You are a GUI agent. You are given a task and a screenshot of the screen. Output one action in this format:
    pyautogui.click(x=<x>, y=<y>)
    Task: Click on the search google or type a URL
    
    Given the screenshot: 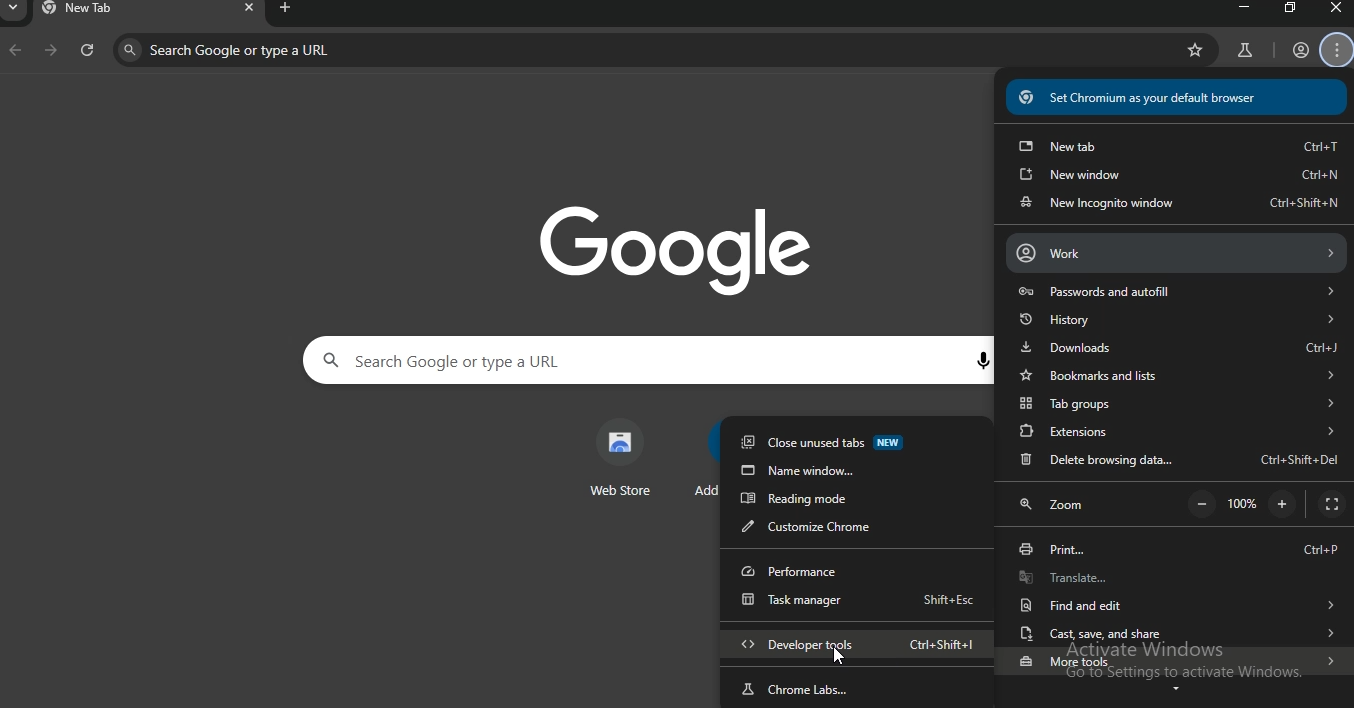 What is the action you would take?
    pyautogui.click(x=377, y=51)
    